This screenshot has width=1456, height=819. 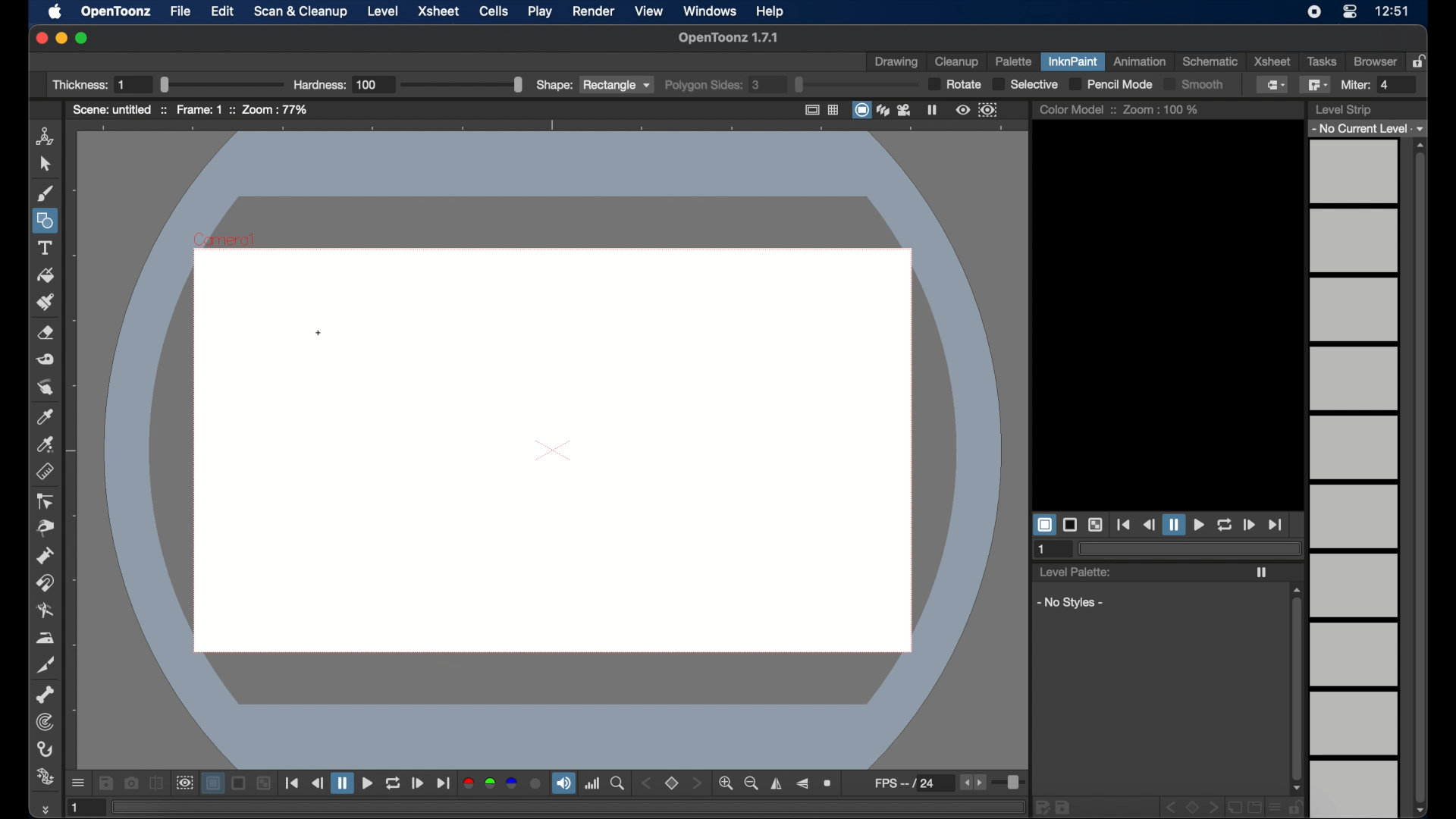 I want to click on color model, so click(x=1077, y=108).